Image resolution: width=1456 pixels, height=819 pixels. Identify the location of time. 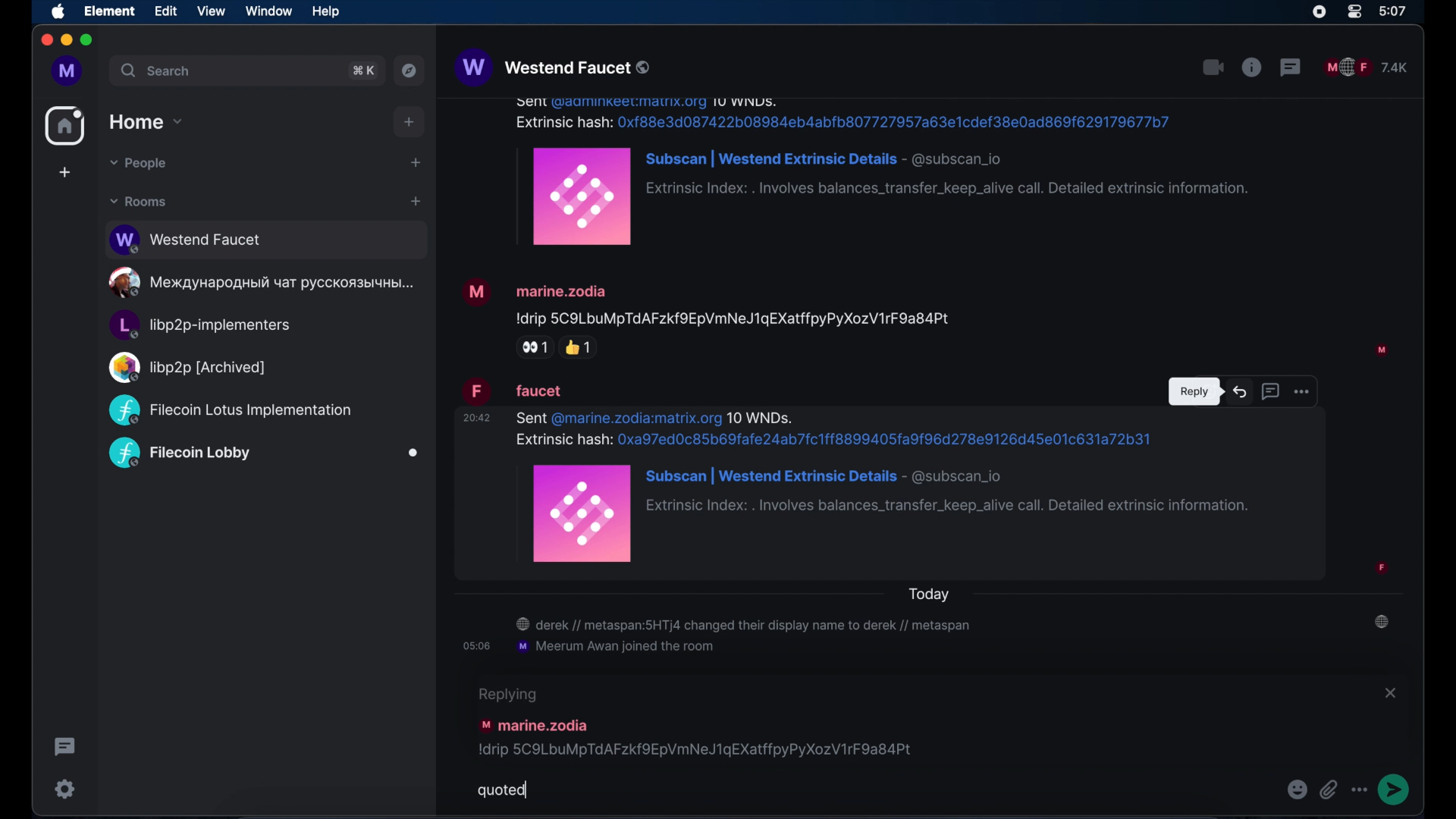
(1394, 11).